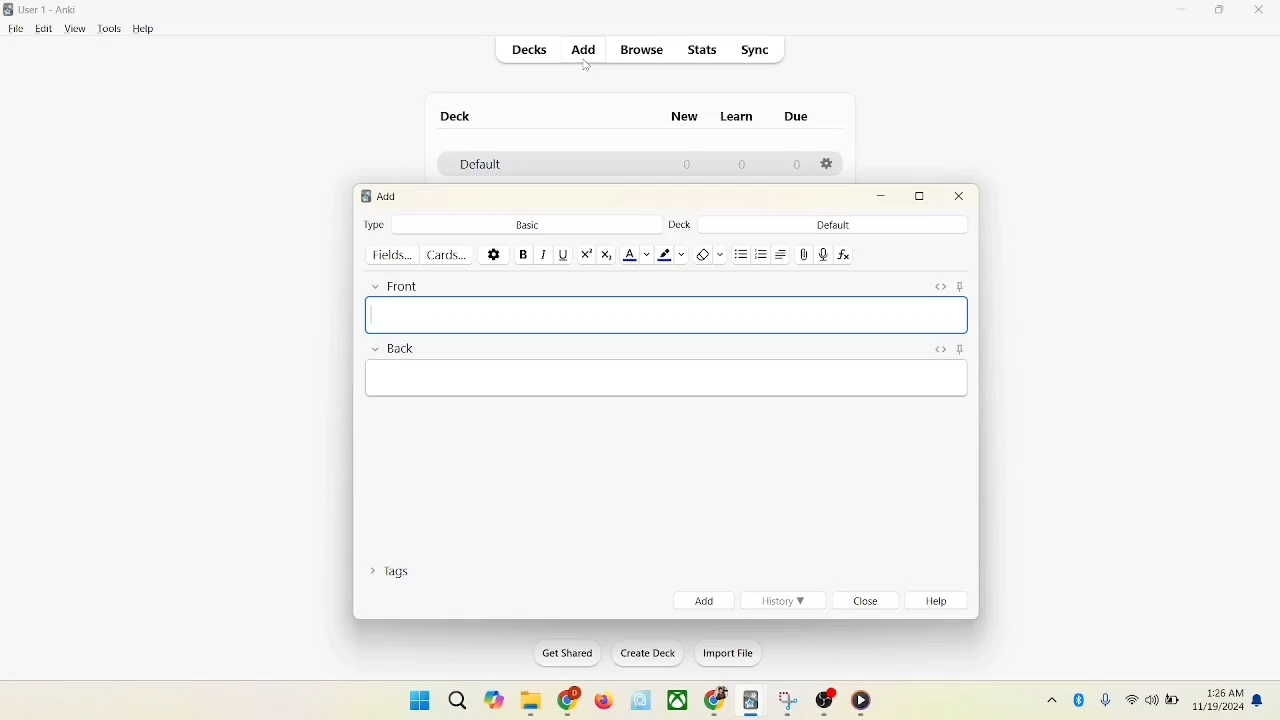 This screenshot has height=720, width=1280. What do you see at coordinates (702, 600) in the screenshot?
I see `add` at bounding box center [702, 600].